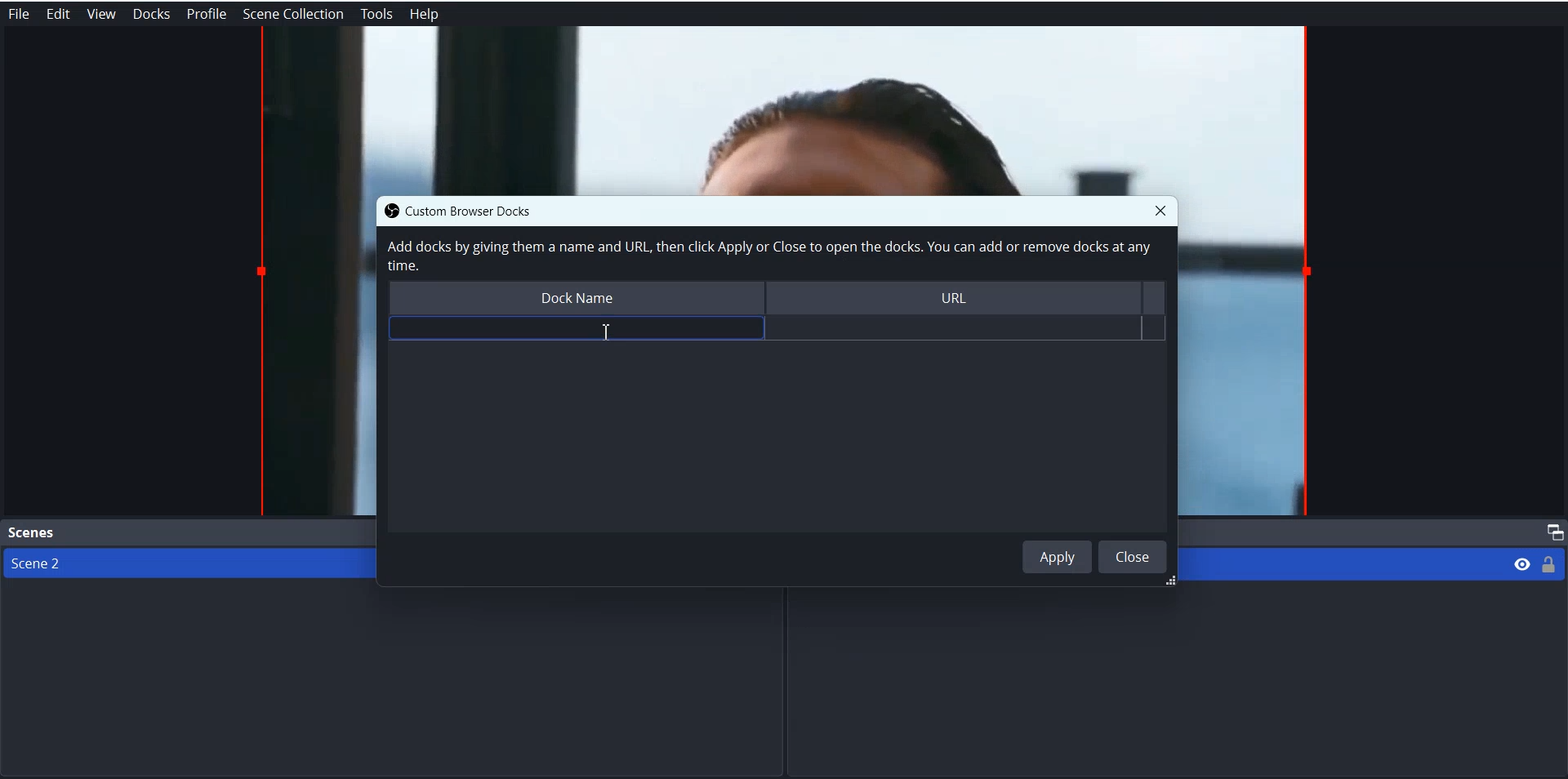  Describe the element at coordinates (314, 355) in the screenshot. I see `File Preview window` at that location.